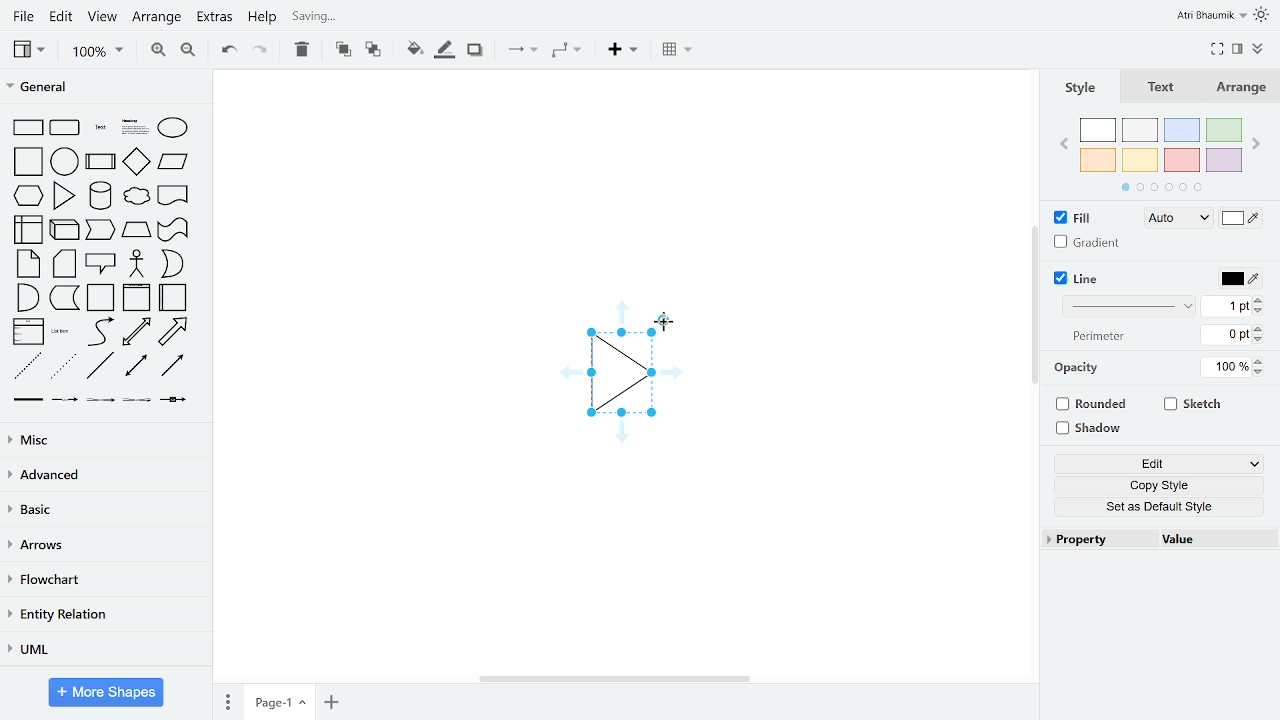 The width and height of the screenshot is (1280, 720). I want to click on basic, so click(103, 511).